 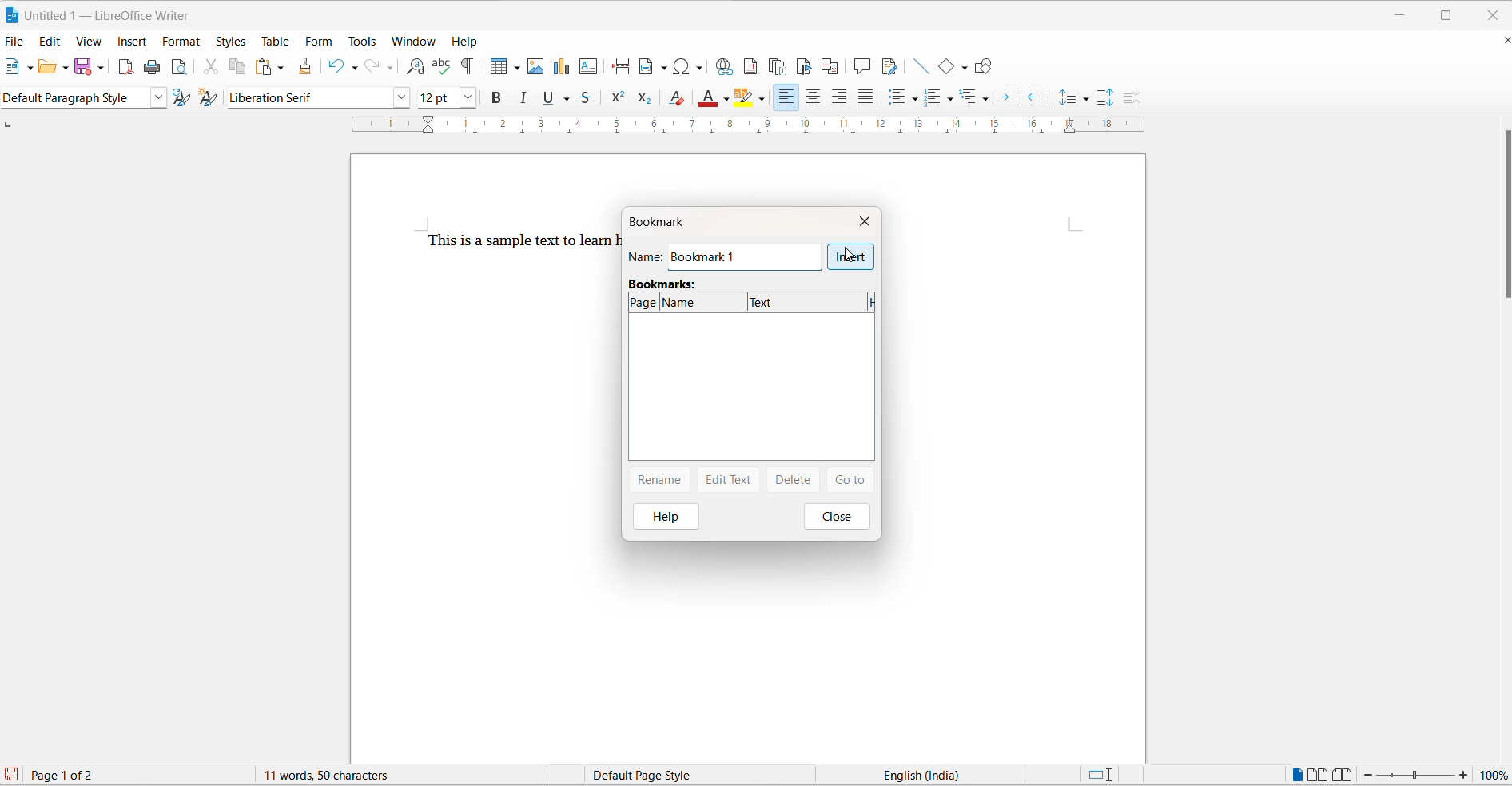 I want to click on new selected style, so click(x=209, y=98).